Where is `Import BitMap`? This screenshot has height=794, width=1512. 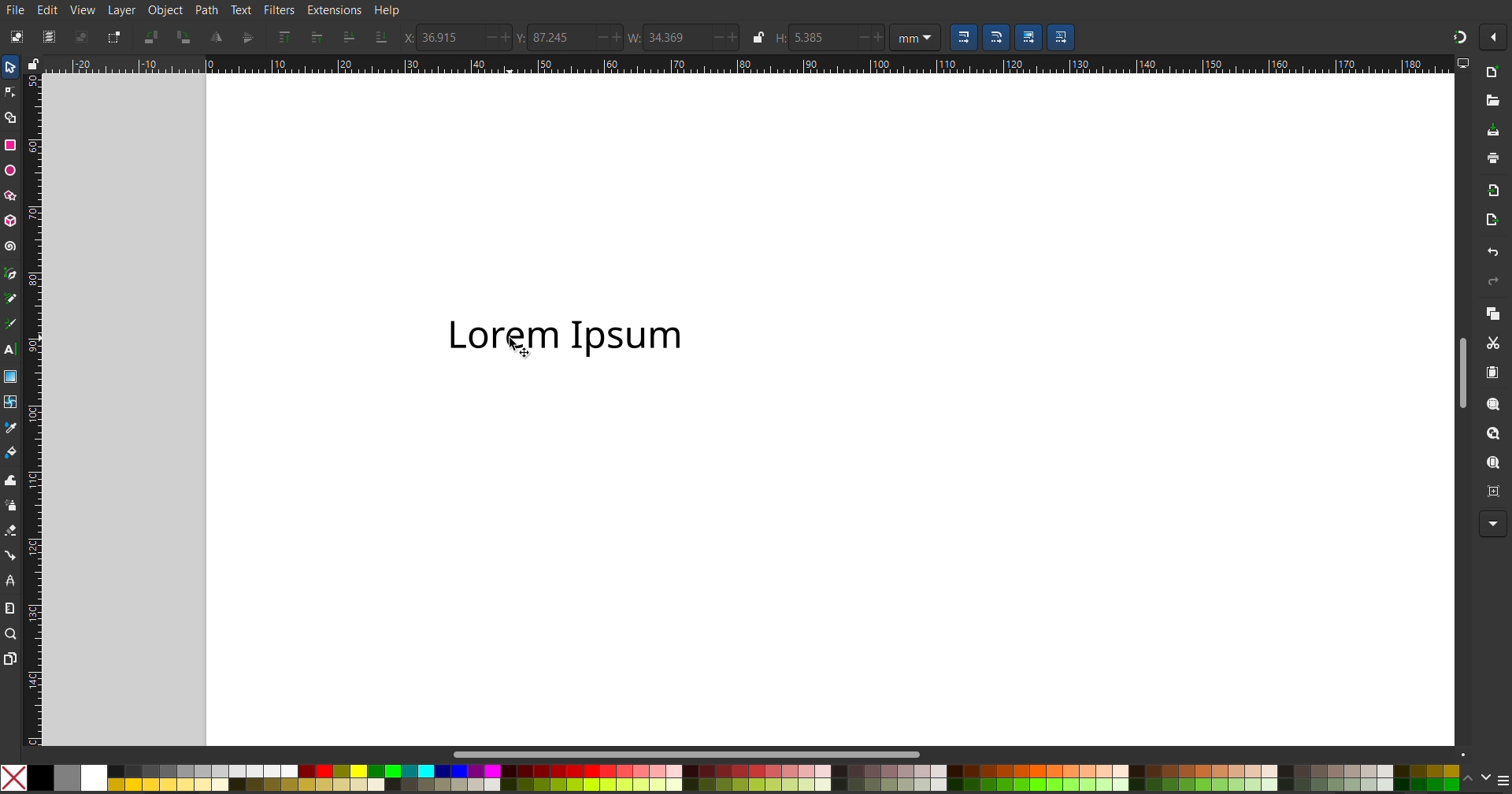 Import BitMap is located at coordinates (1494, 191).